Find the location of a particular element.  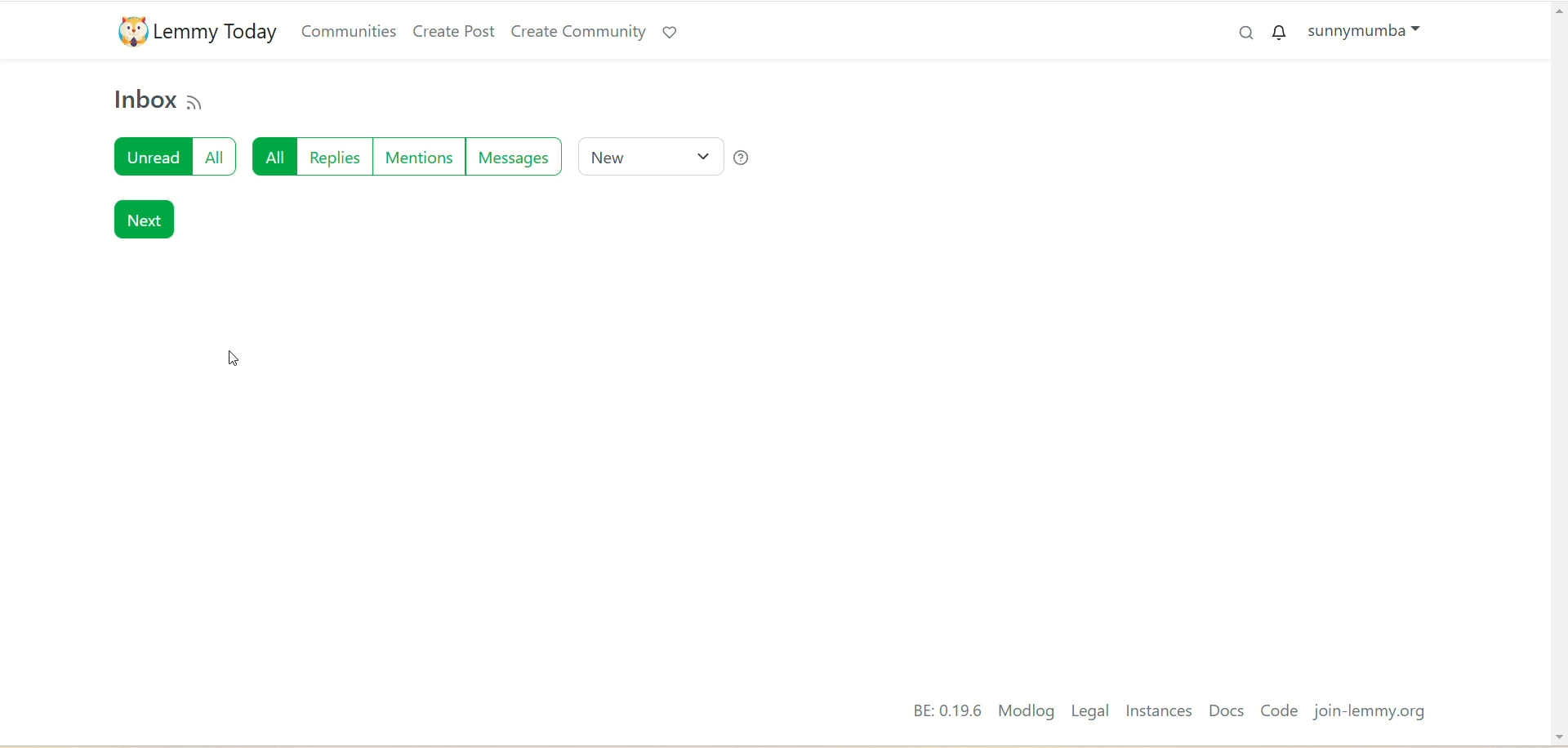

inbox is located at coordinates (141, 103).